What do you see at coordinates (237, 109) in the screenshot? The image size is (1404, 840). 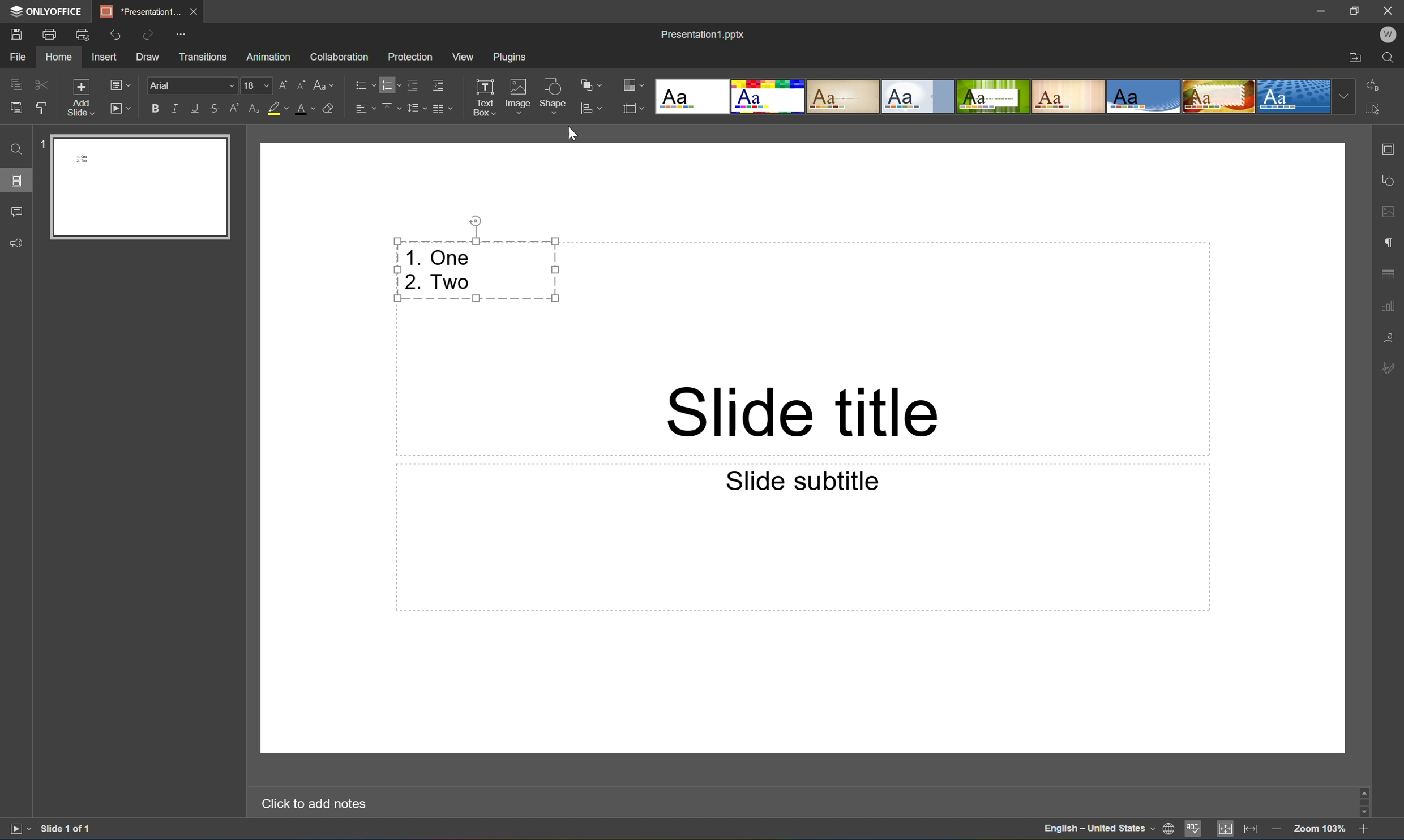 I see `Superscript` at bounding box center [237, 109].